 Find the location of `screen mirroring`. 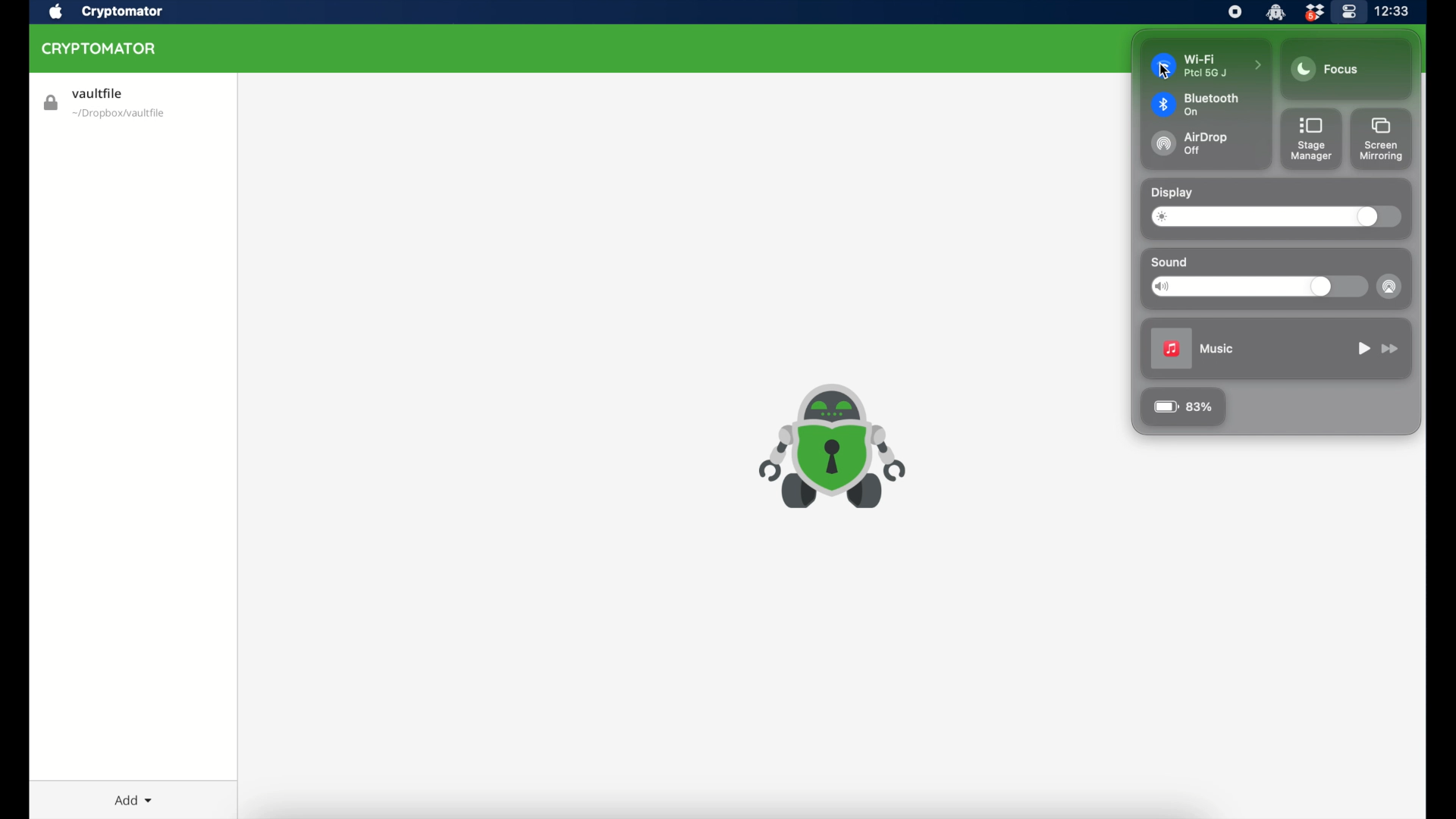

screen mirroring is located at coordinates (1382, 139).